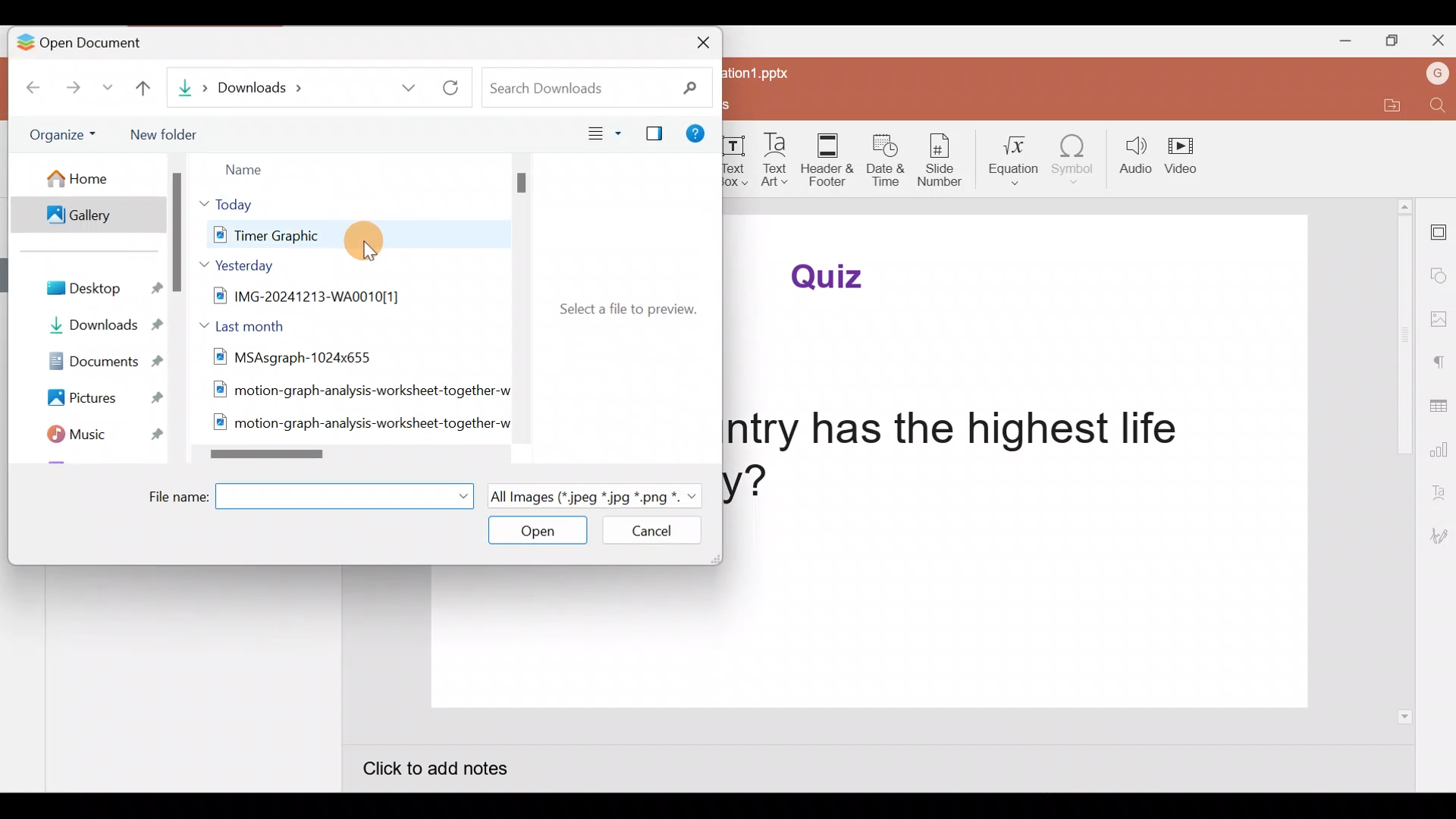  I want to click on Text Art, so click(777, 160).